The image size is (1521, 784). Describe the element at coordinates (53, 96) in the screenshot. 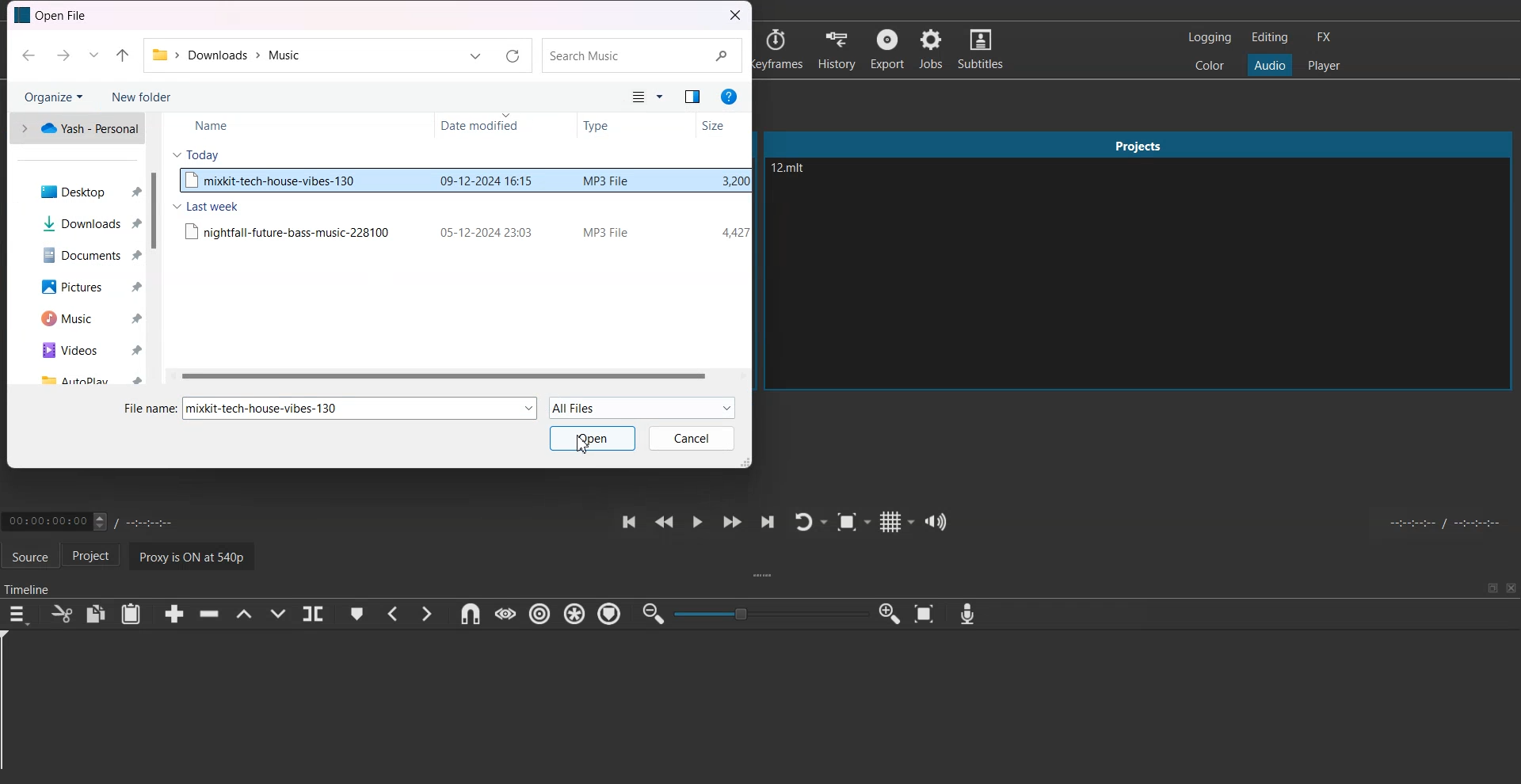

I see `Organize` at that location.